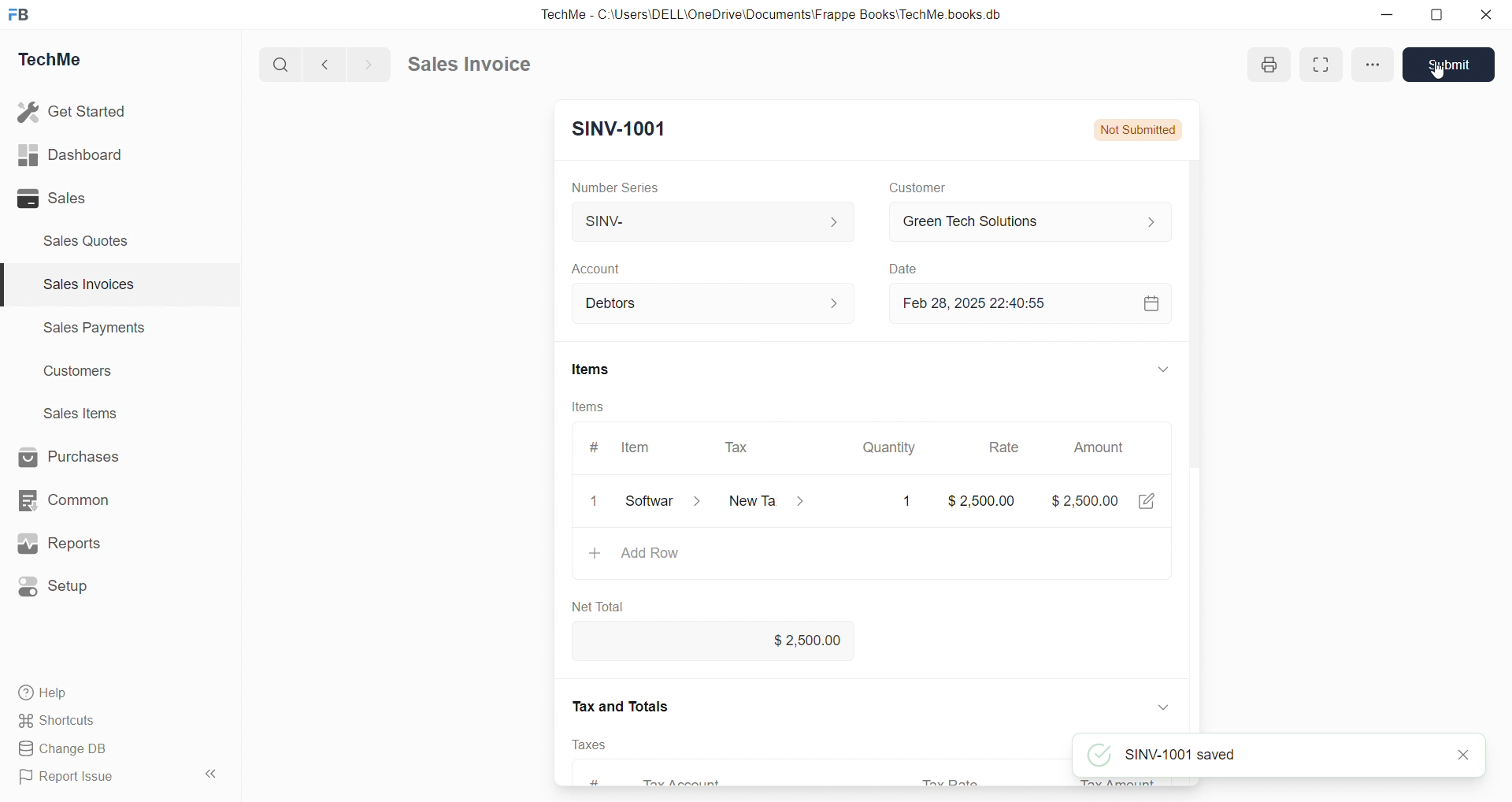 This screenshot has height=802, width=1512. Describe the element at coordinates (768, 501) in the screenshot. I see `New Ta` at that location.